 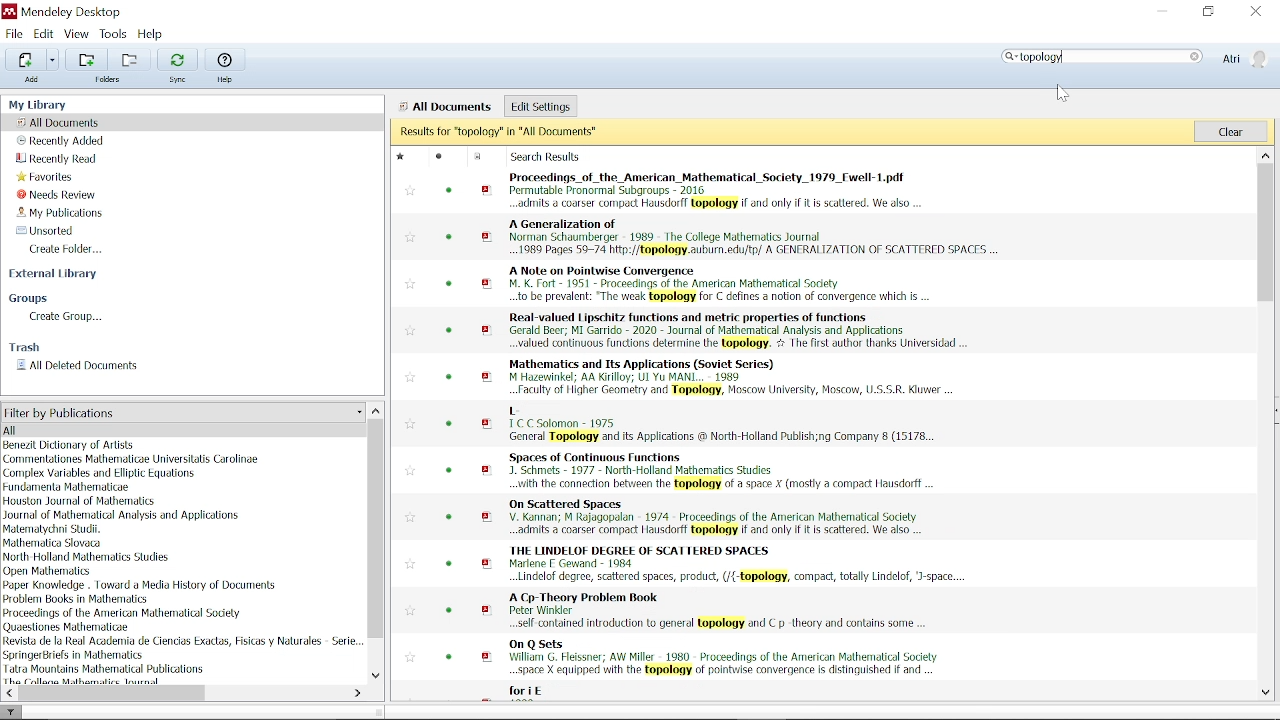 What do you see at coordinates (486, 470) in the screenshot?
I see `pdf` at bounding box center [486, 470].